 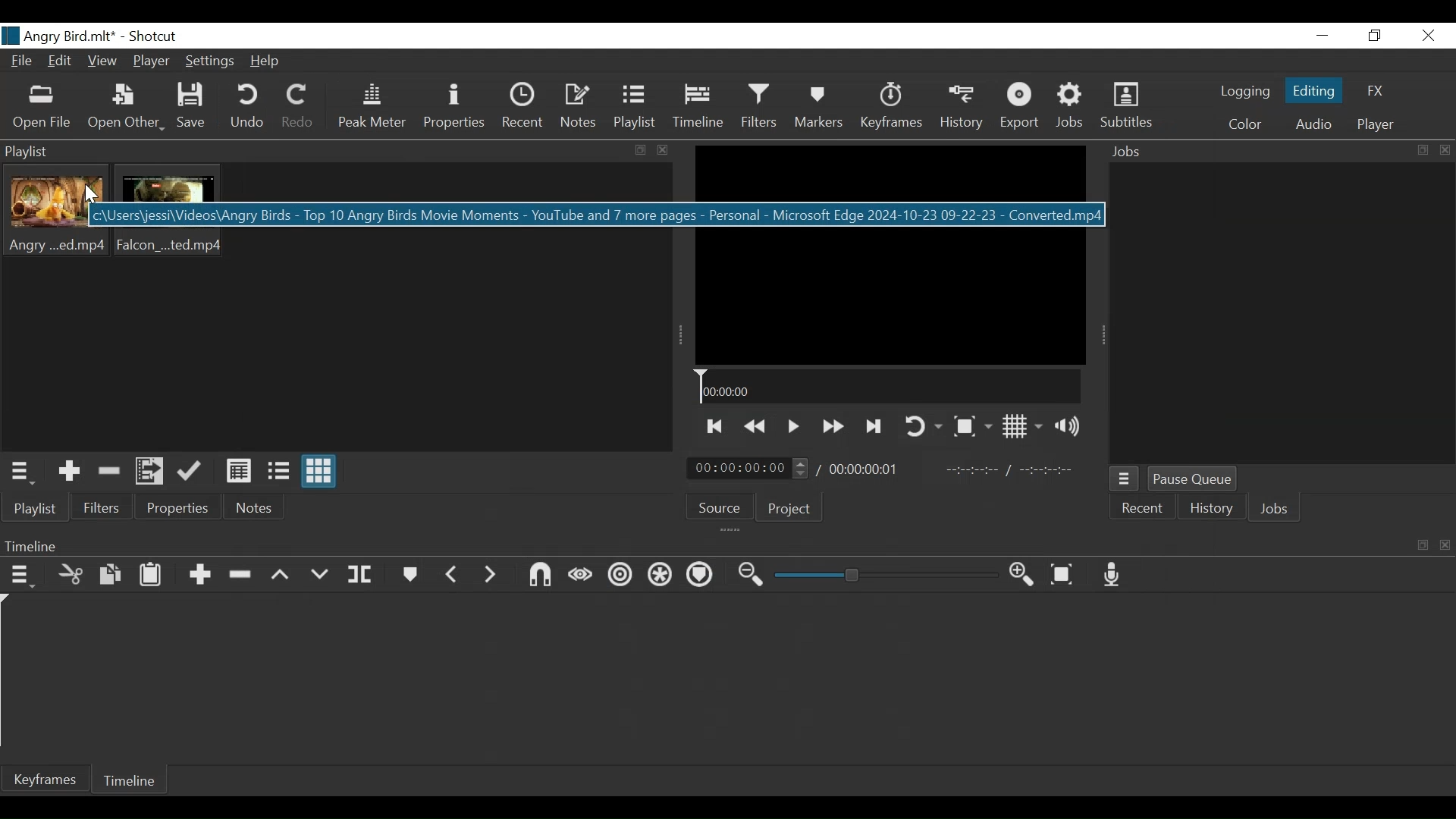 What do you see at coordinates (1313, 91) in the screenshot?
I see `Editing` at bounding box center [1313, 91].